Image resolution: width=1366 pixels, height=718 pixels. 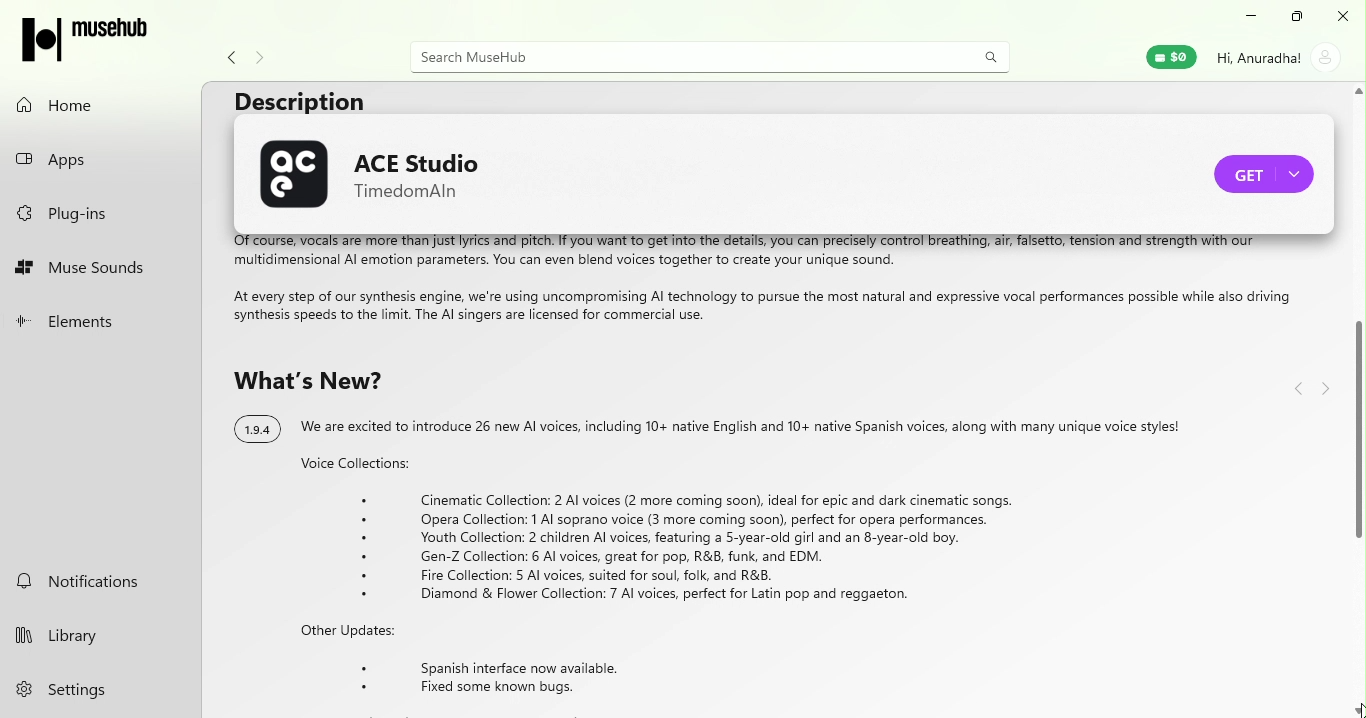 What do you see at coordinates (1358, 400) in the screenshot?
I see `Scroll bar` at bounding box center [1358, 400].